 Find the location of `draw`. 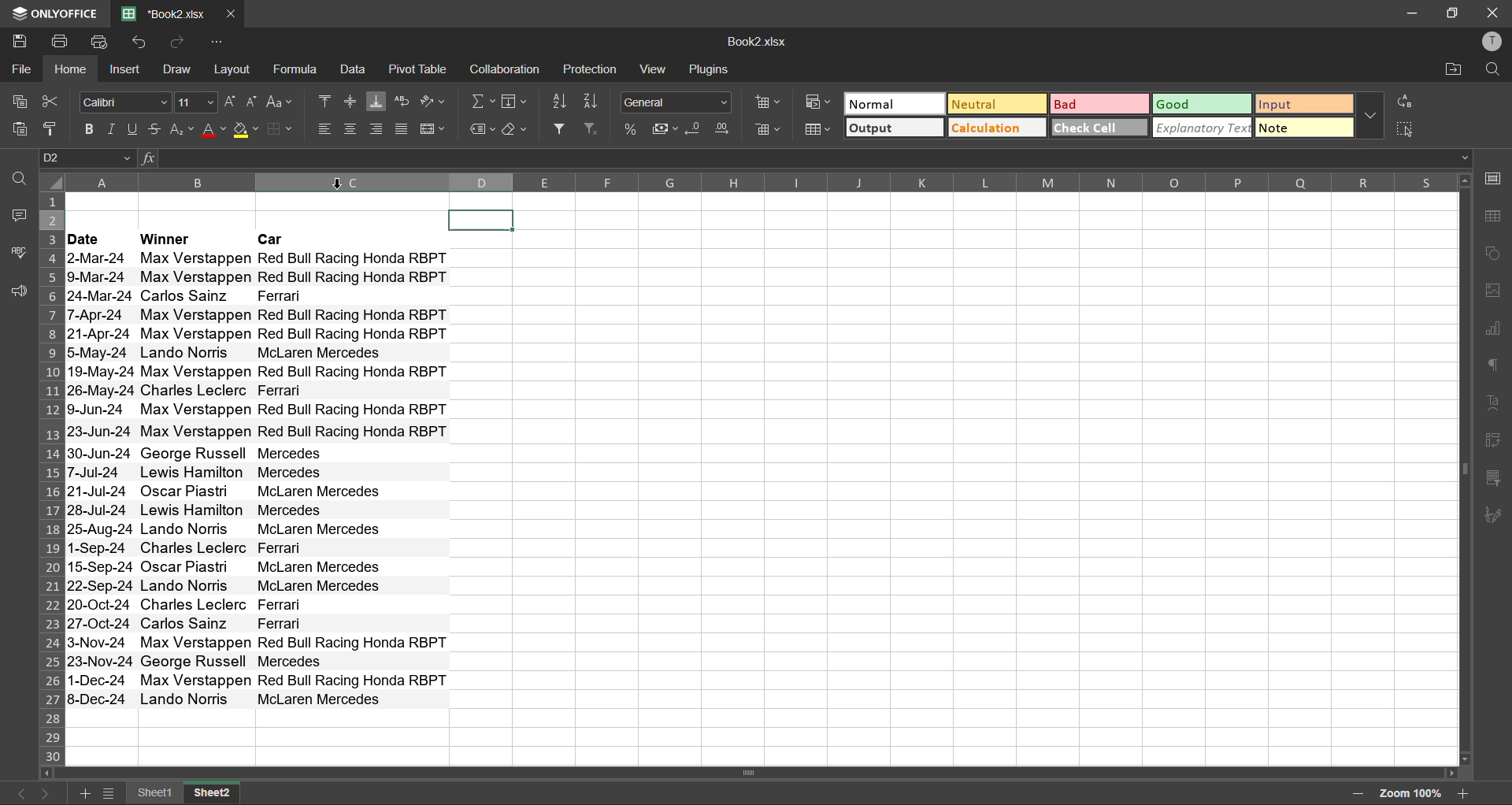

draw is located at coordinates (183, 72).